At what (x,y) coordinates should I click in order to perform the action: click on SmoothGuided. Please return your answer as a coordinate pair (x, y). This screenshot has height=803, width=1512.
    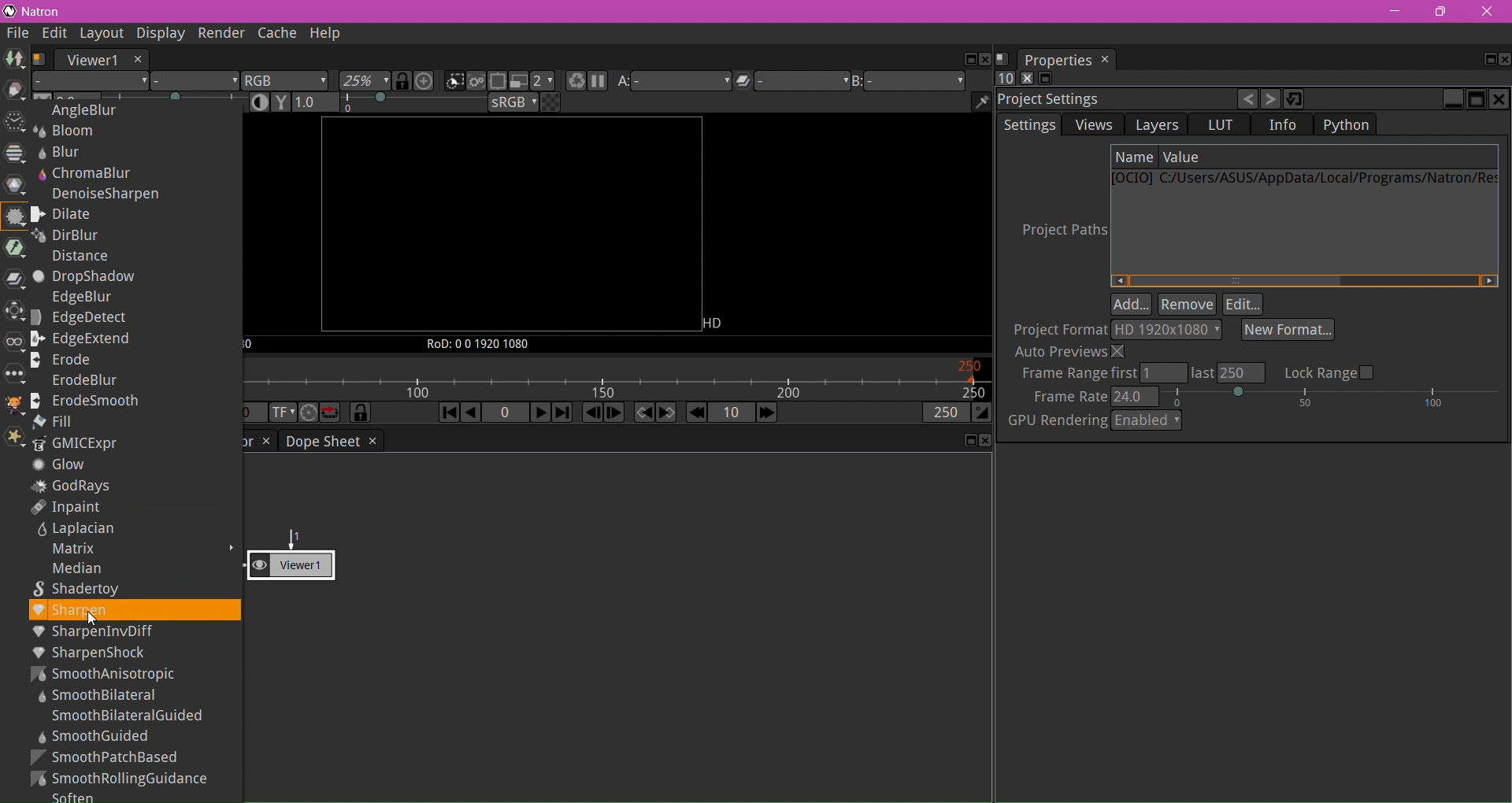
    Looking at the image, I should click on (92, 736).